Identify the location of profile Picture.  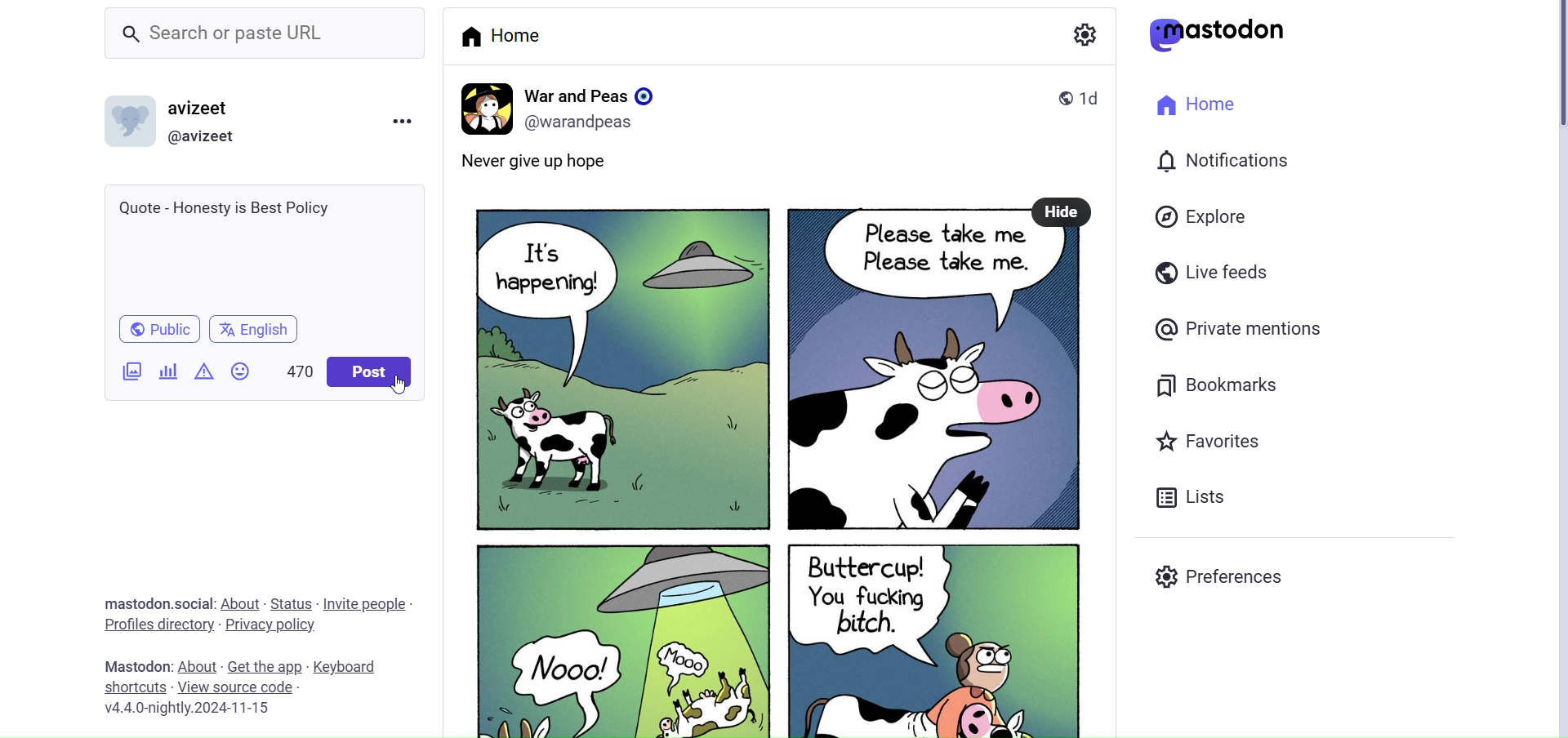
(483, 106).